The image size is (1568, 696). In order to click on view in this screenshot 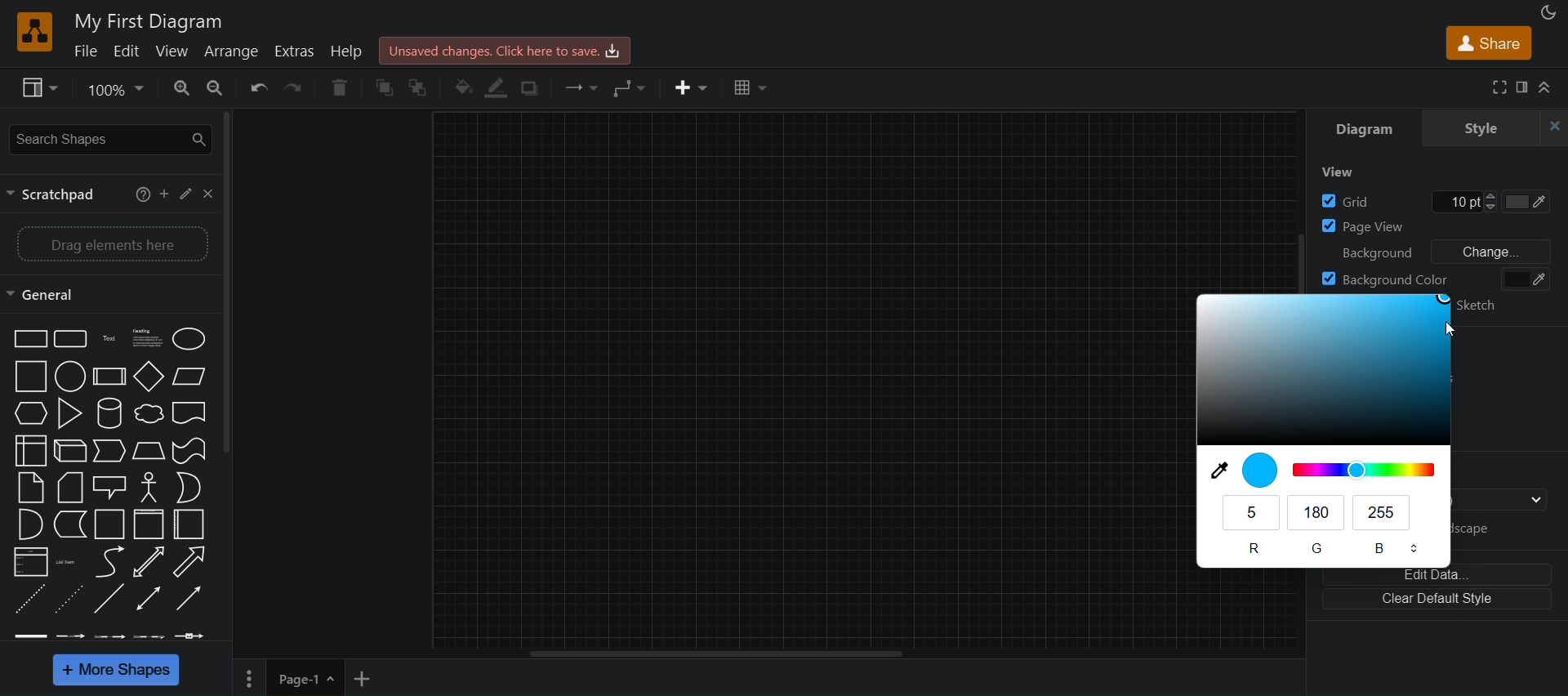, I will do `click(172, 53)`.